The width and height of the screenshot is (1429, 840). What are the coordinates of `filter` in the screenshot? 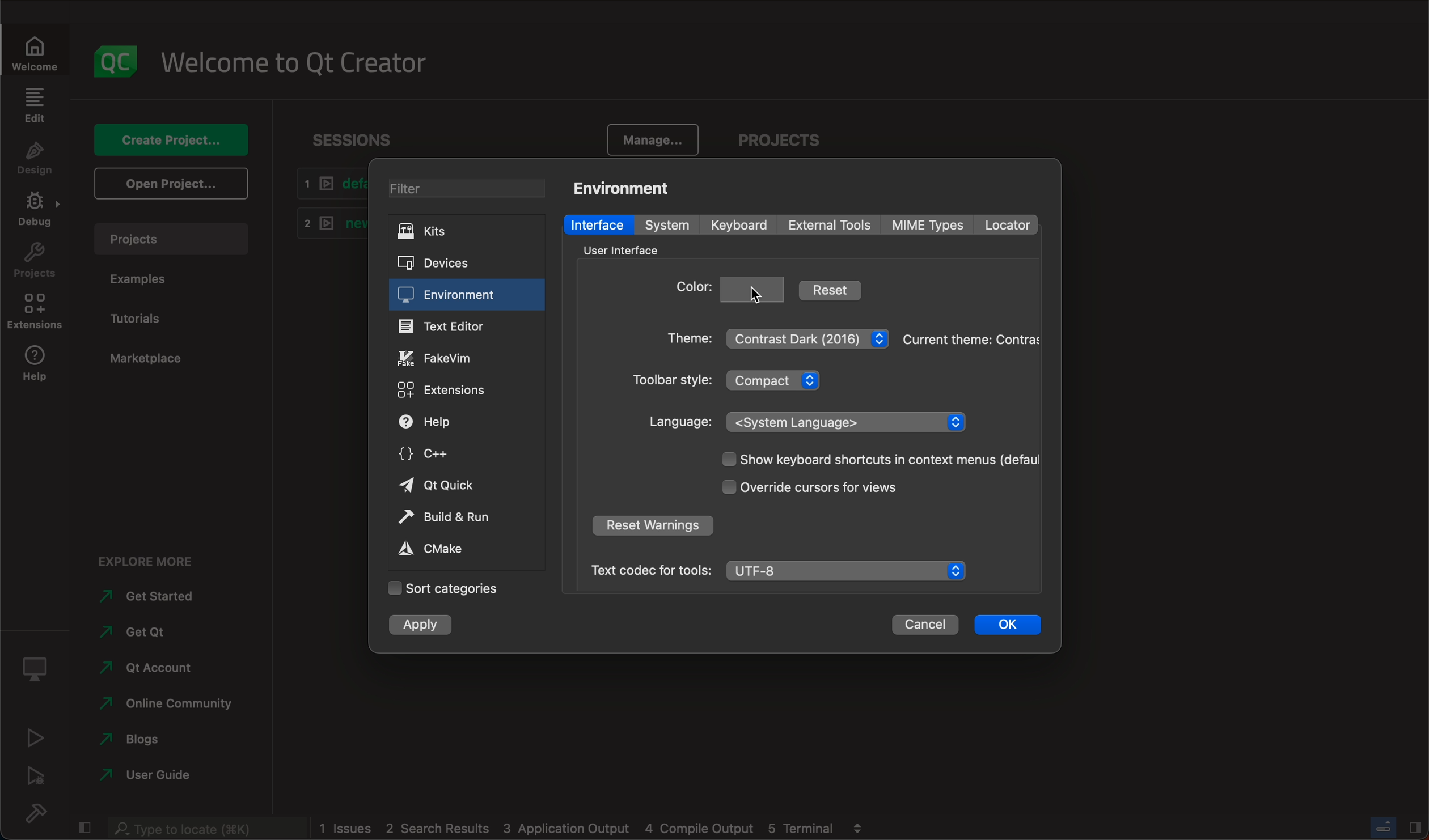 It's located at (462, 186).